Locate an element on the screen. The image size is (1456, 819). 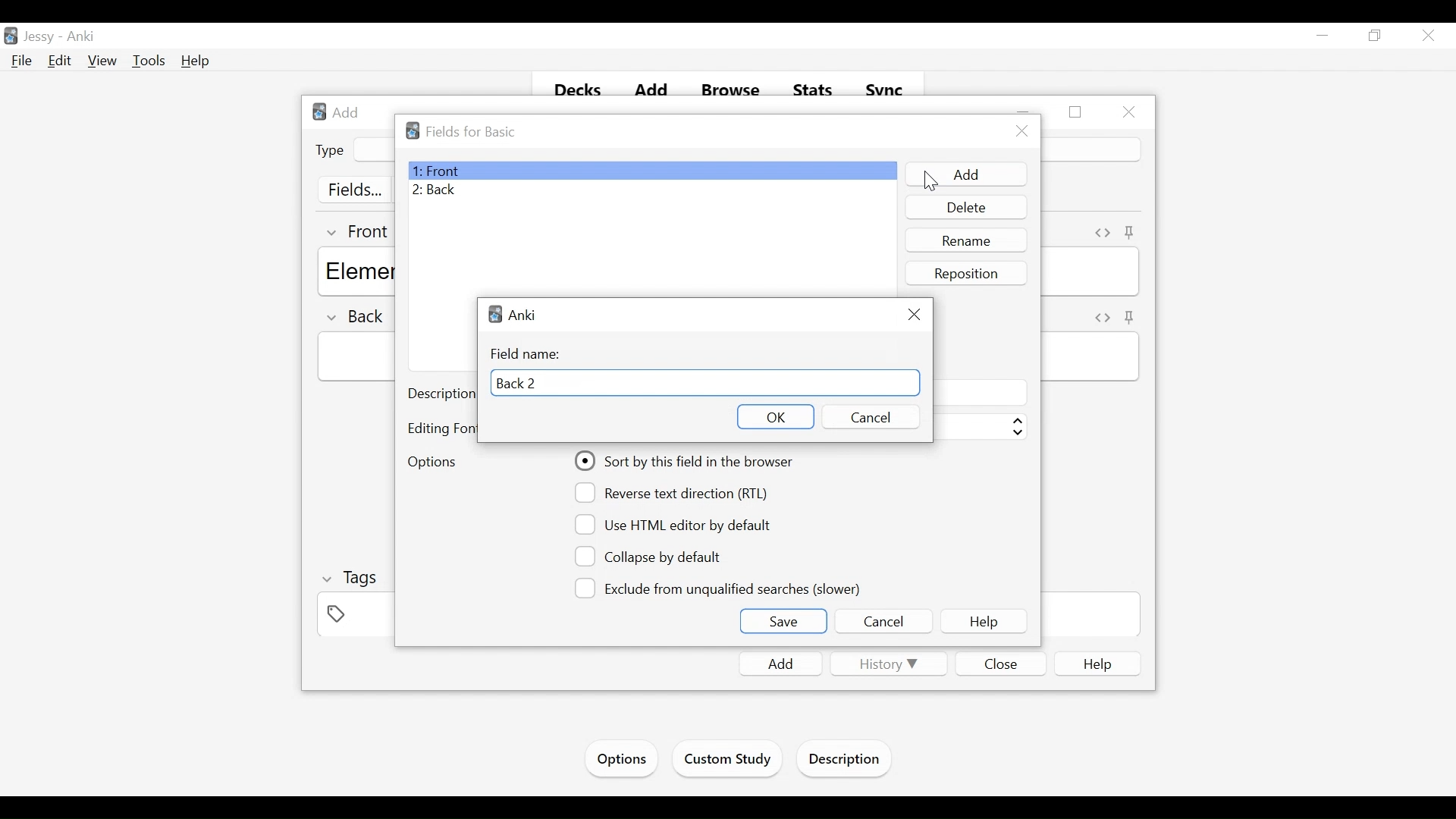
OK is located at coordinates (774, 416).